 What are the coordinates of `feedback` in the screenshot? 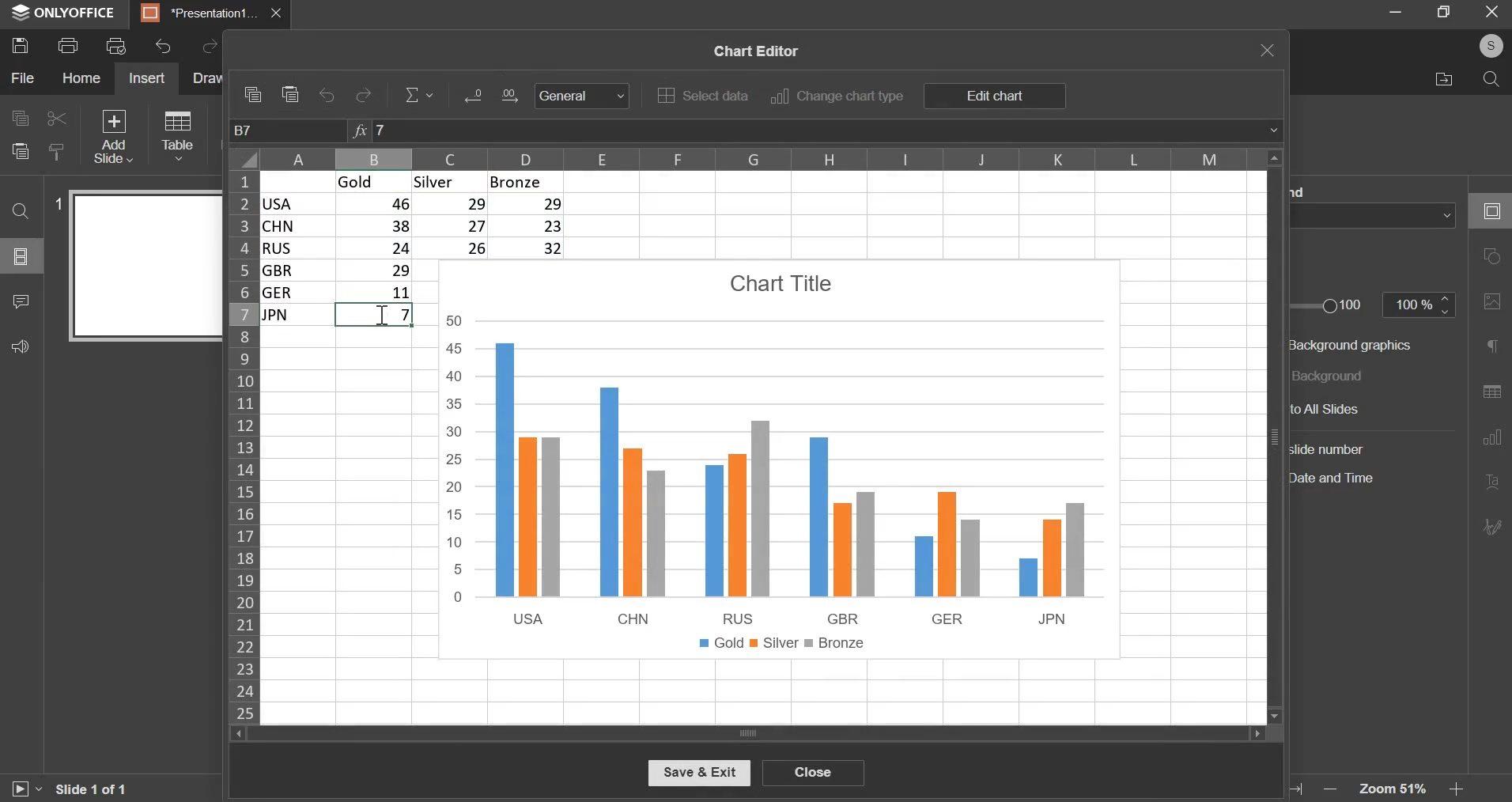 It's located at (21, 345).